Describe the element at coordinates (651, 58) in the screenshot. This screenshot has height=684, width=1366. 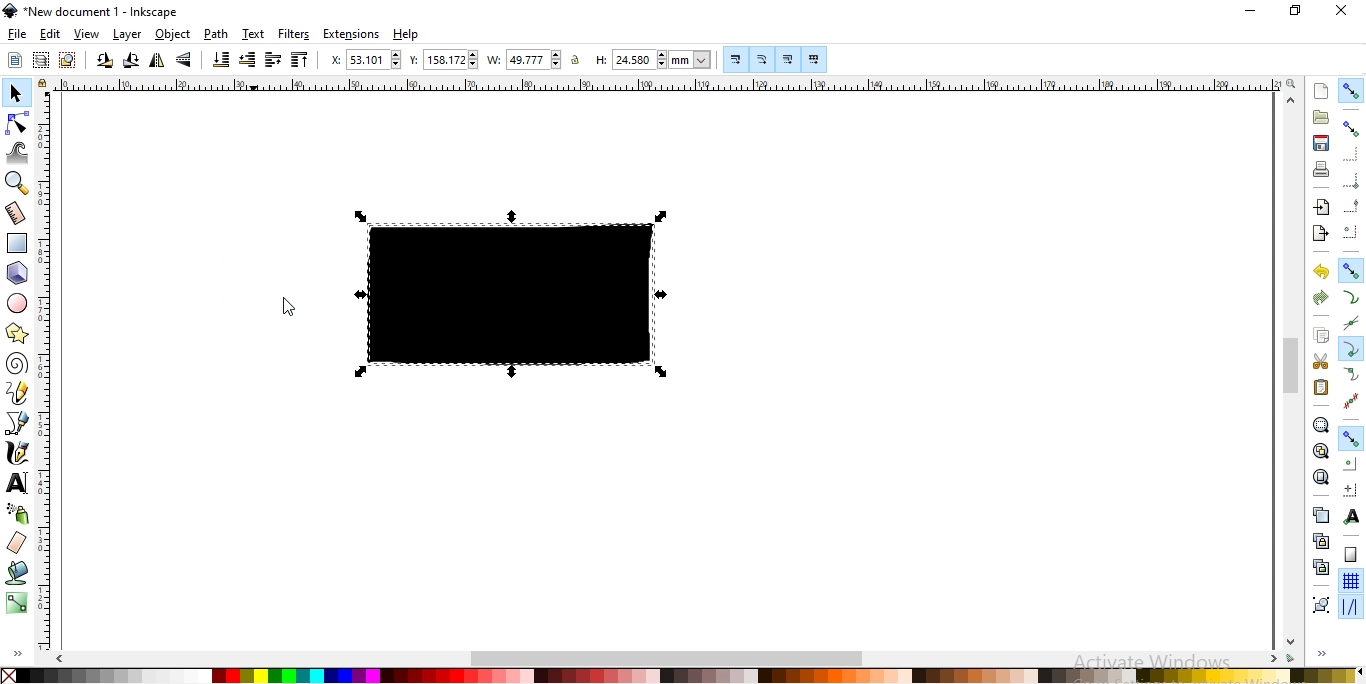
I see `height of selection` at that location.